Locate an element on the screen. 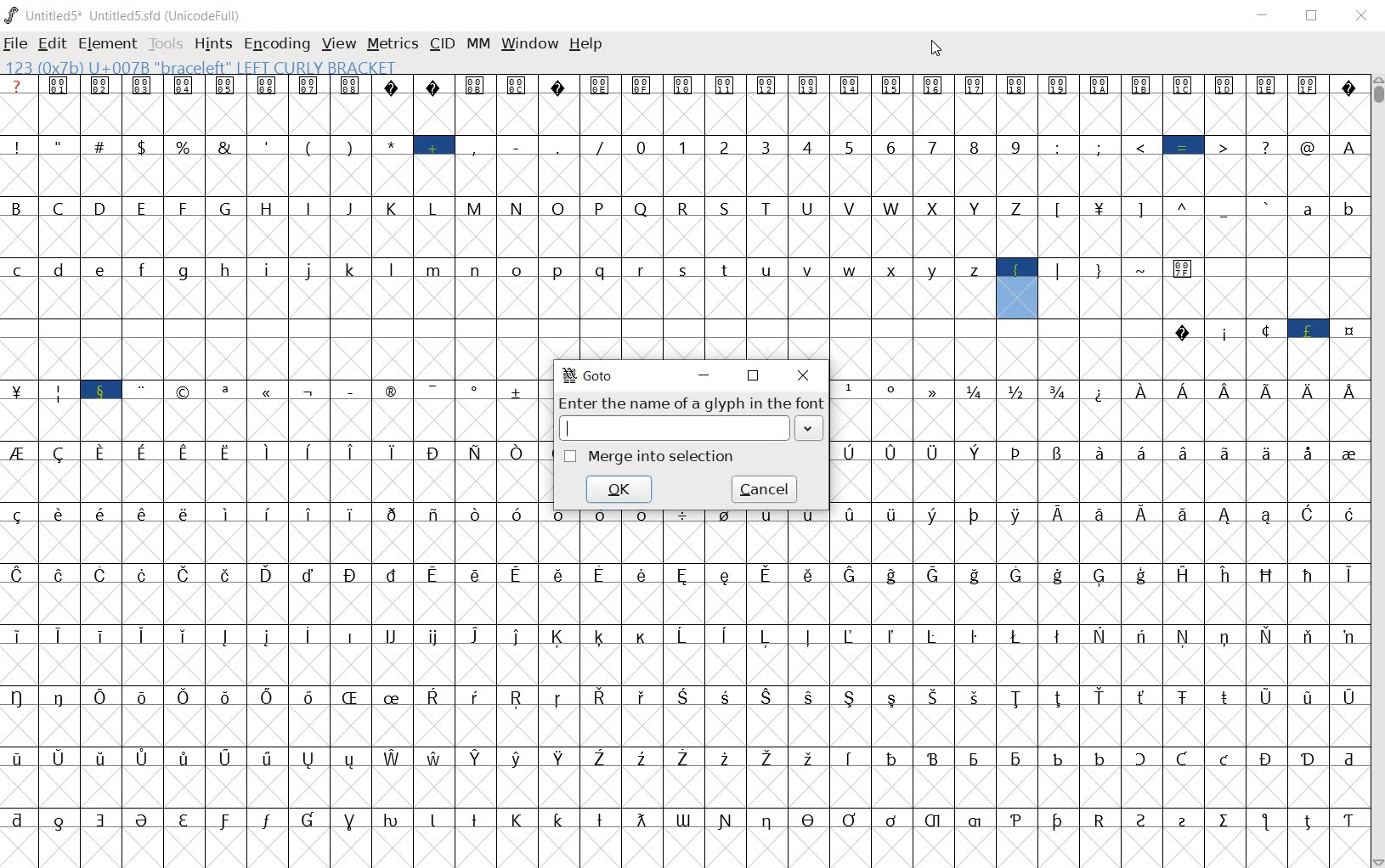 This screenshot has height=868, width=1385. RESTORE DOWN is located at coordinates (755, 377).